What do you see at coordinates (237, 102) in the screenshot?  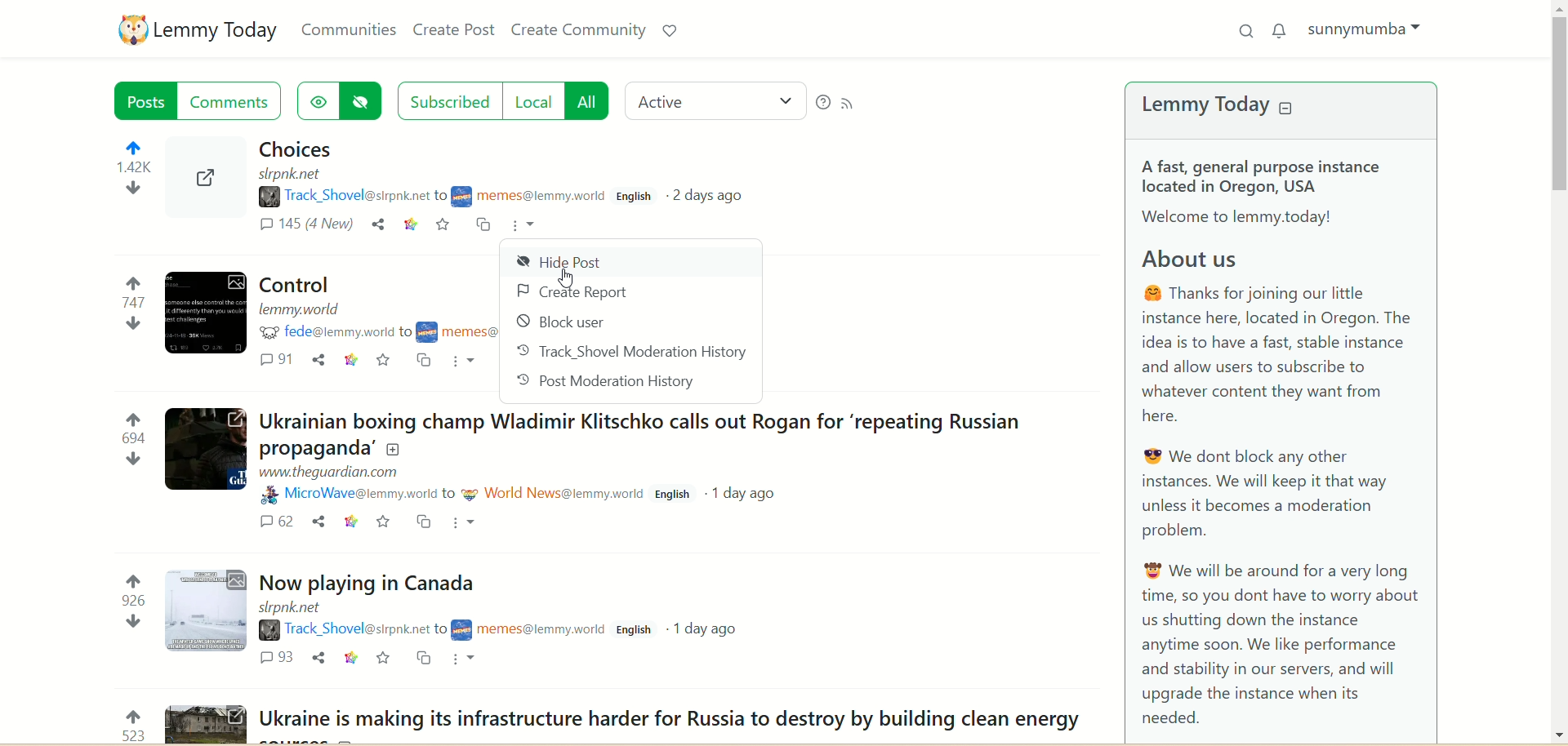 I see `comments` at bounding box center [237, 102].